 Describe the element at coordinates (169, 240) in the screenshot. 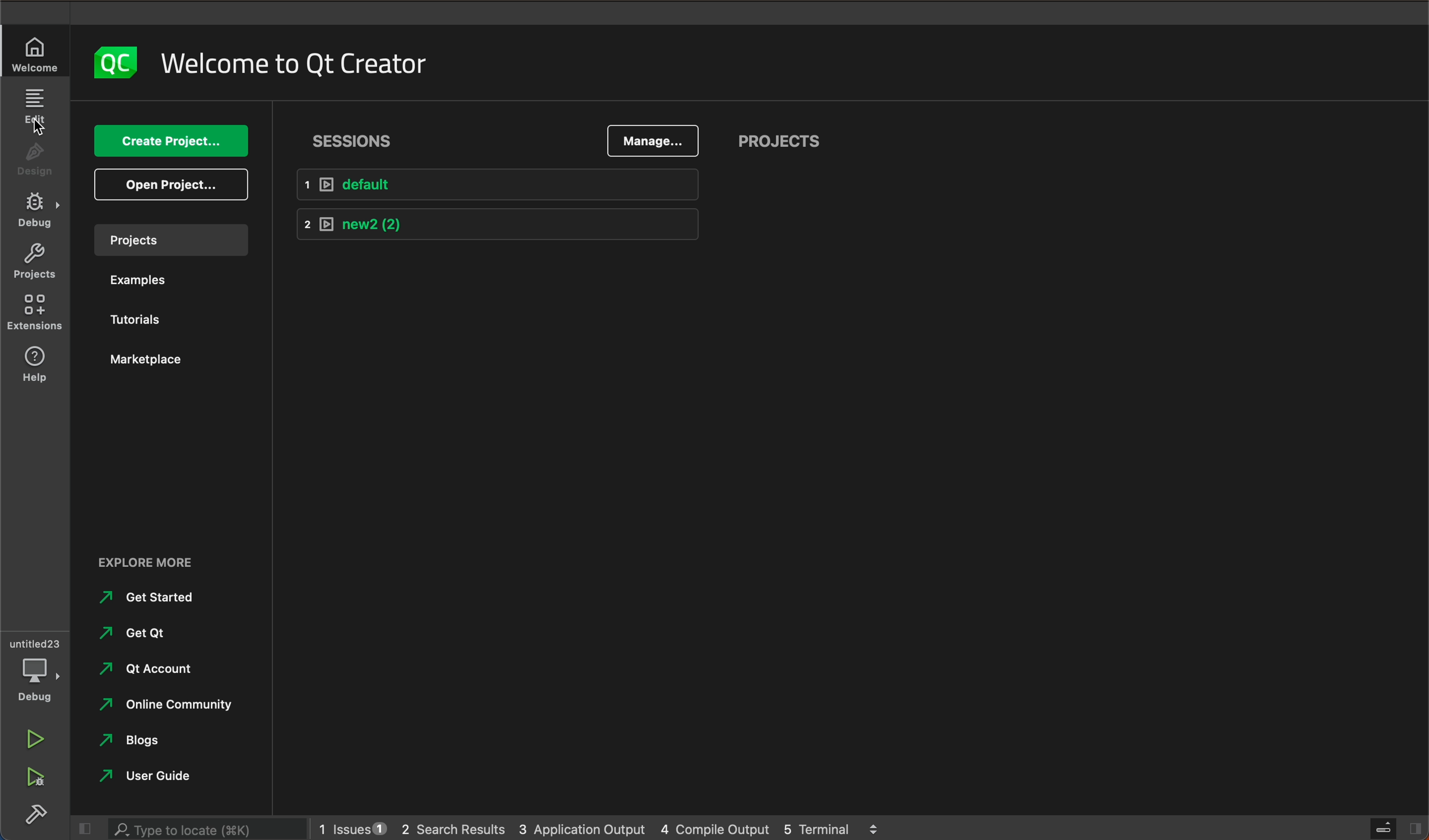

I see `projects` at that location.